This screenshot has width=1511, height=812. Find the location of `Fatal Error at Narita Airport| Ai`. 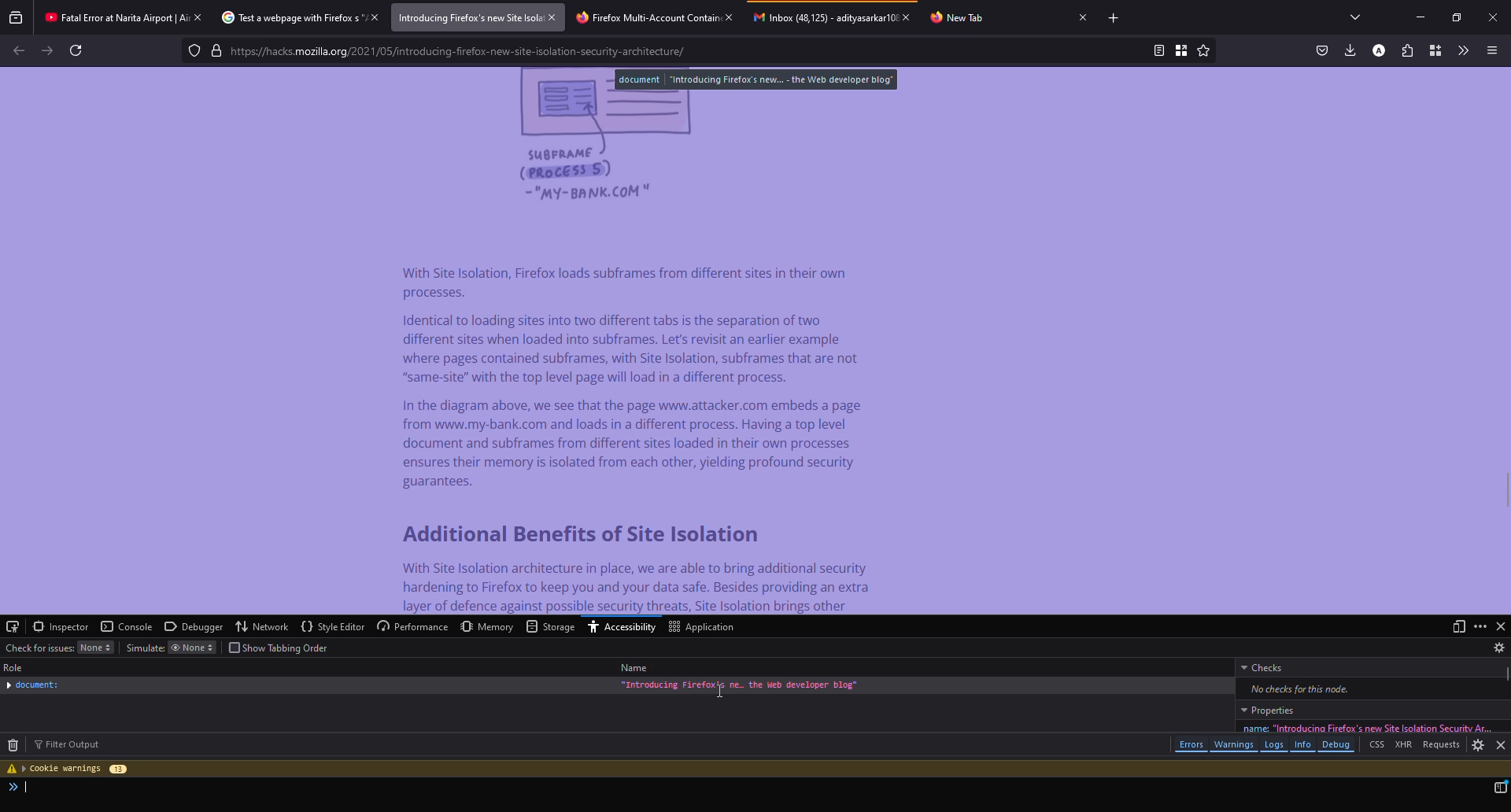

Fatal Error at Narita Airport| Ai is located at coordinates (109, 15).